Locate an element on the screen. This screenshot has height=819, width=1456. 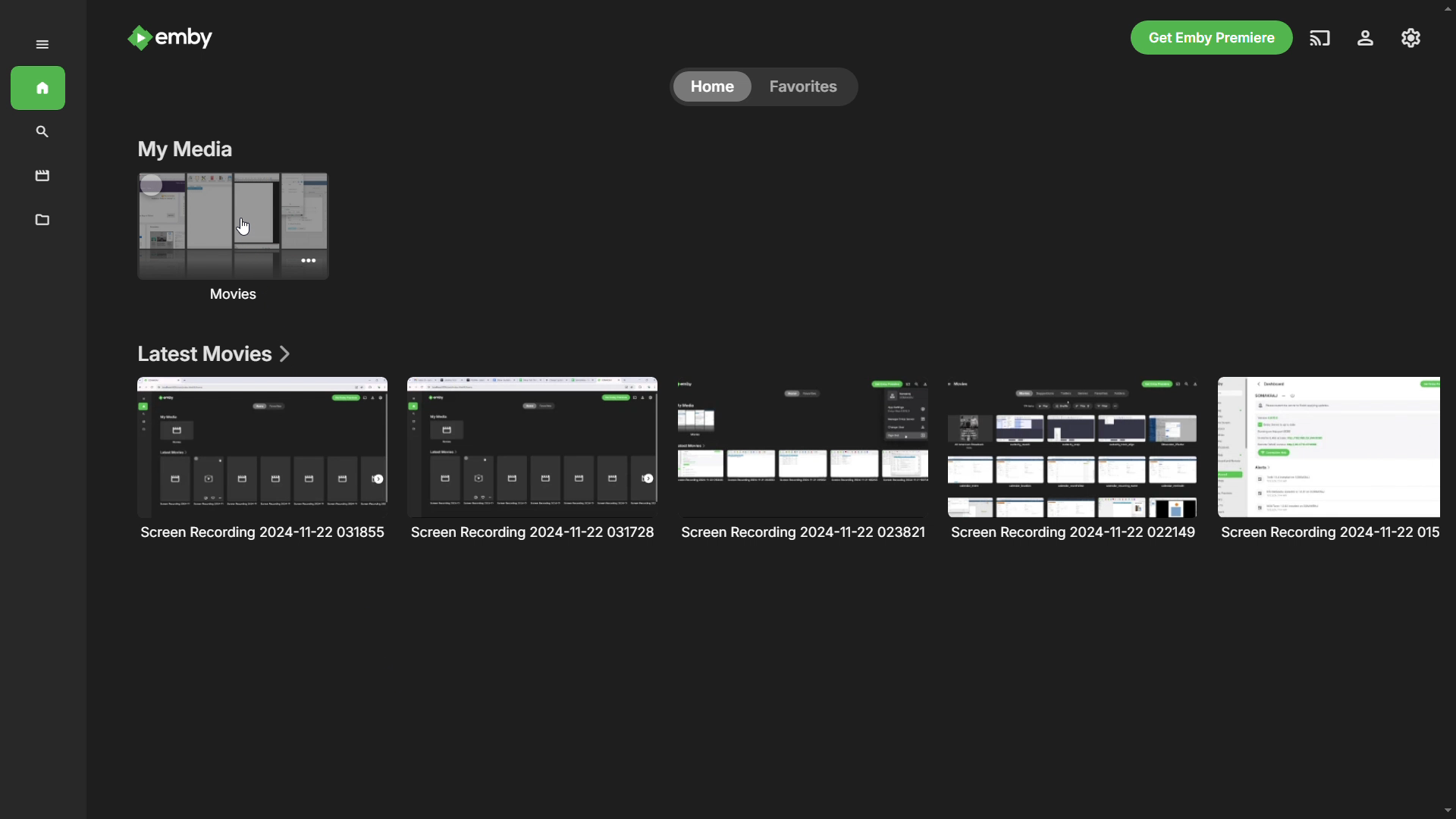
more is located at coordinates (309, 261).